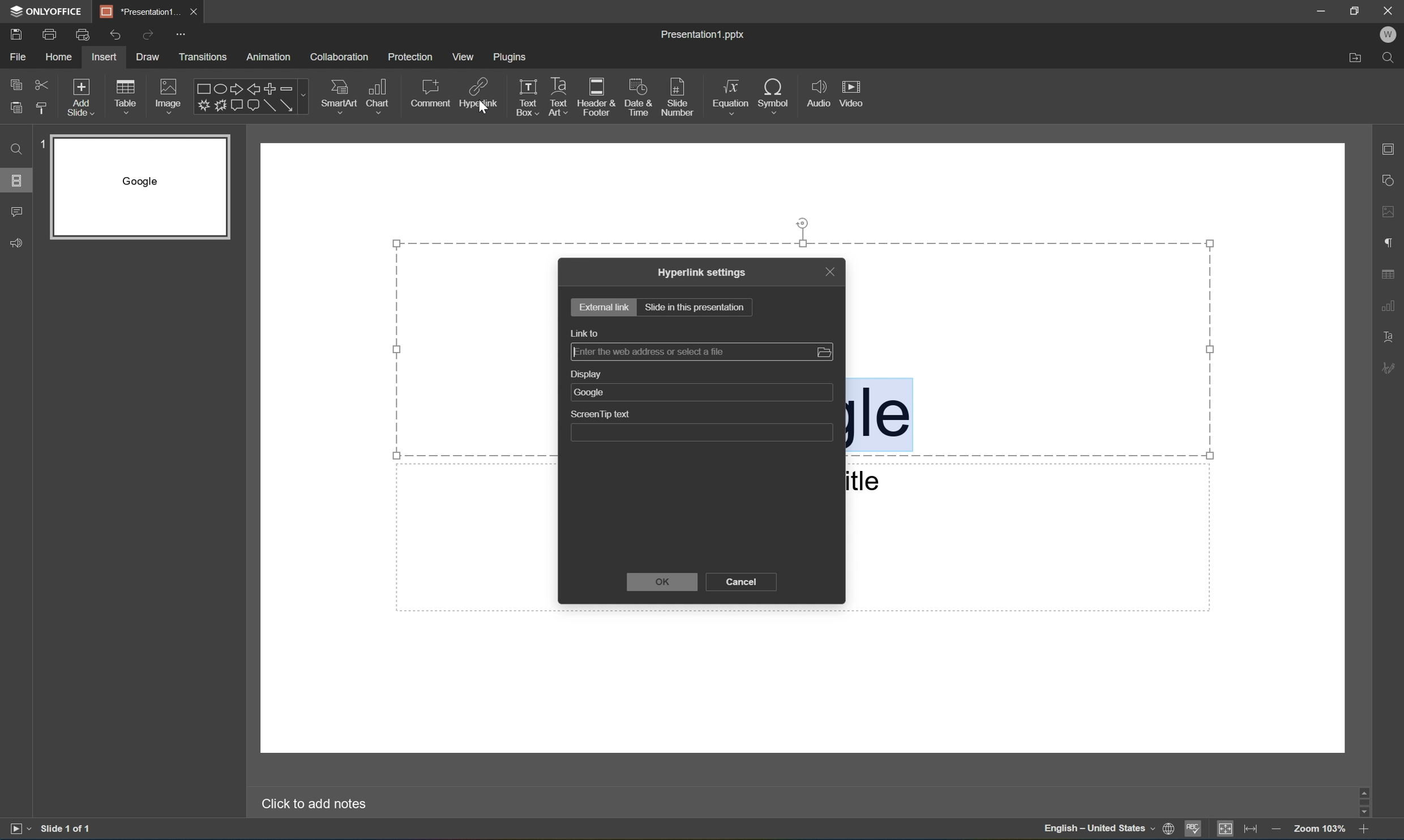  I want to click on SmartArt, so click(340, 97).